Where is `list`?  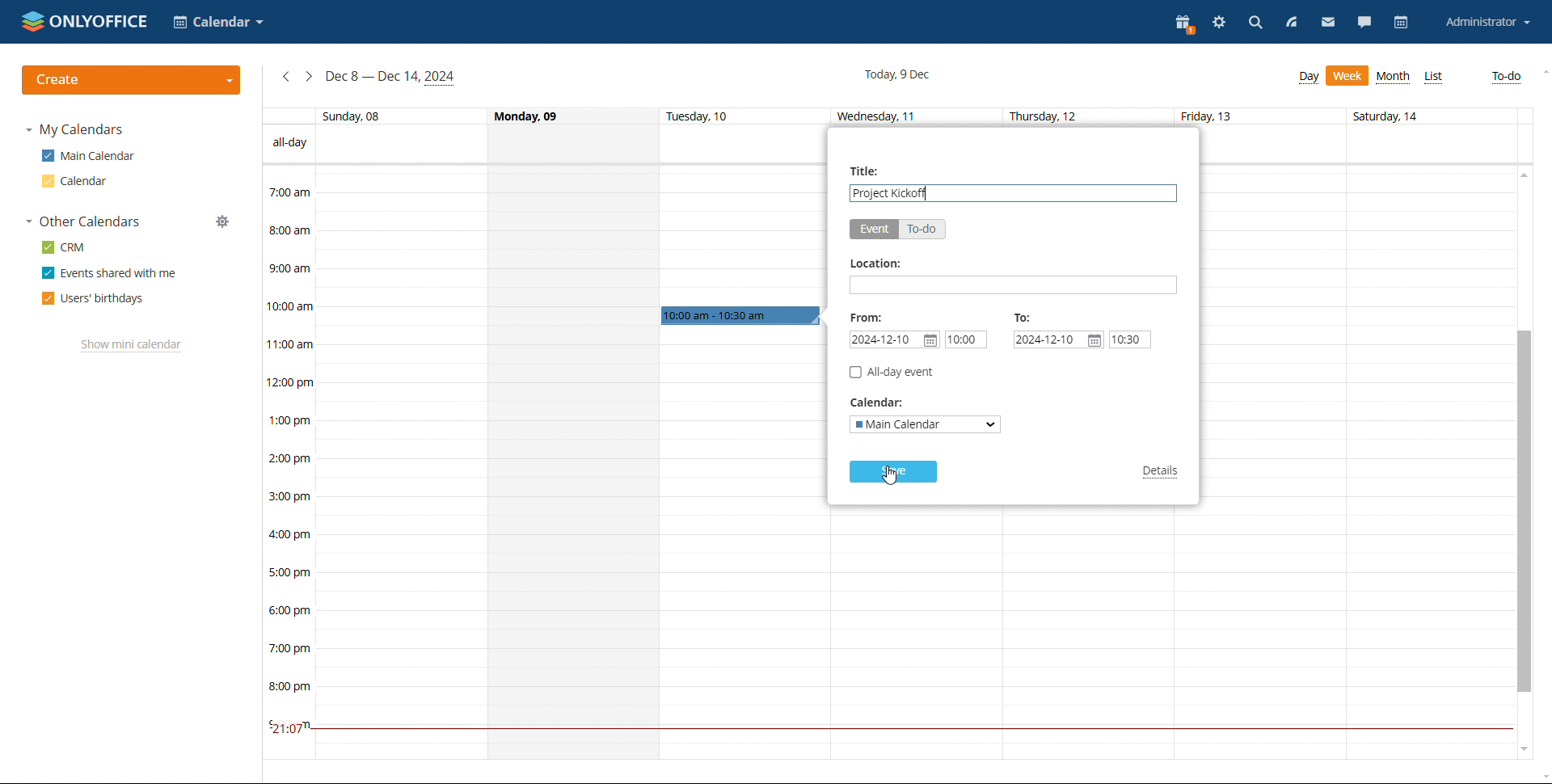
list is located at coordinates (1434, 77).